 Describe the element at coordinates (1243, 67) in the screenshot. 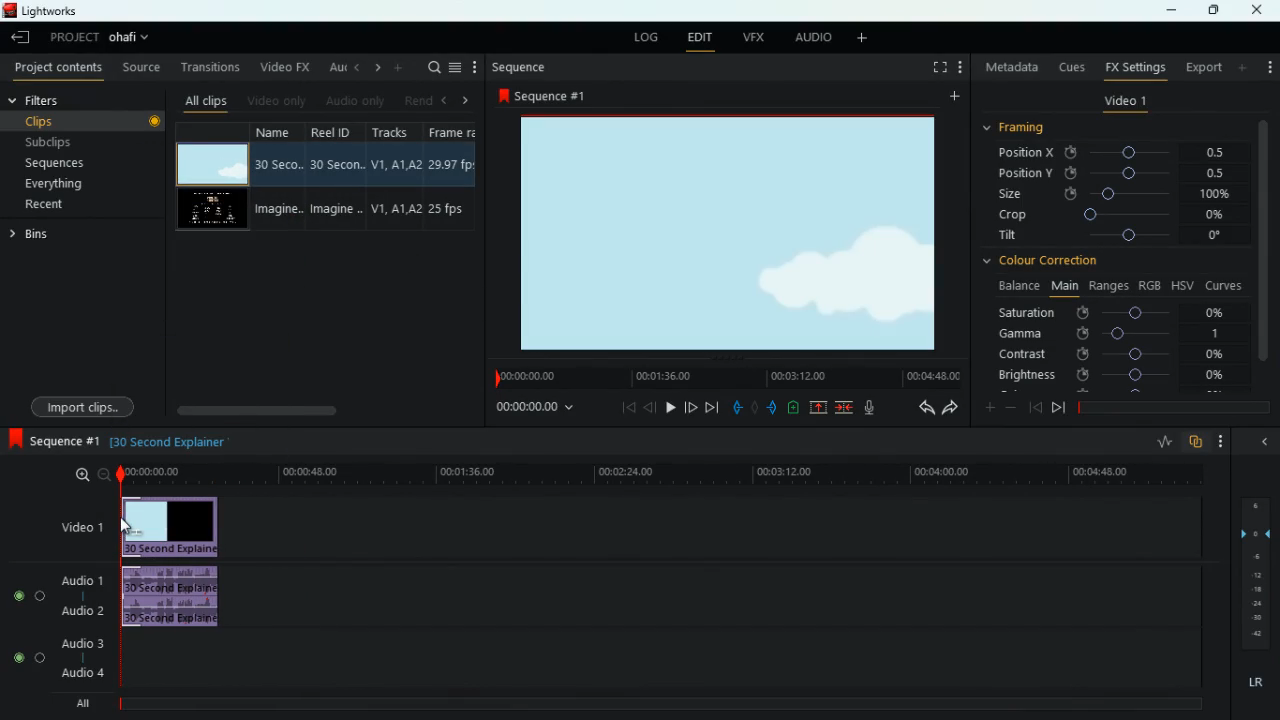

I see `more` at that location.